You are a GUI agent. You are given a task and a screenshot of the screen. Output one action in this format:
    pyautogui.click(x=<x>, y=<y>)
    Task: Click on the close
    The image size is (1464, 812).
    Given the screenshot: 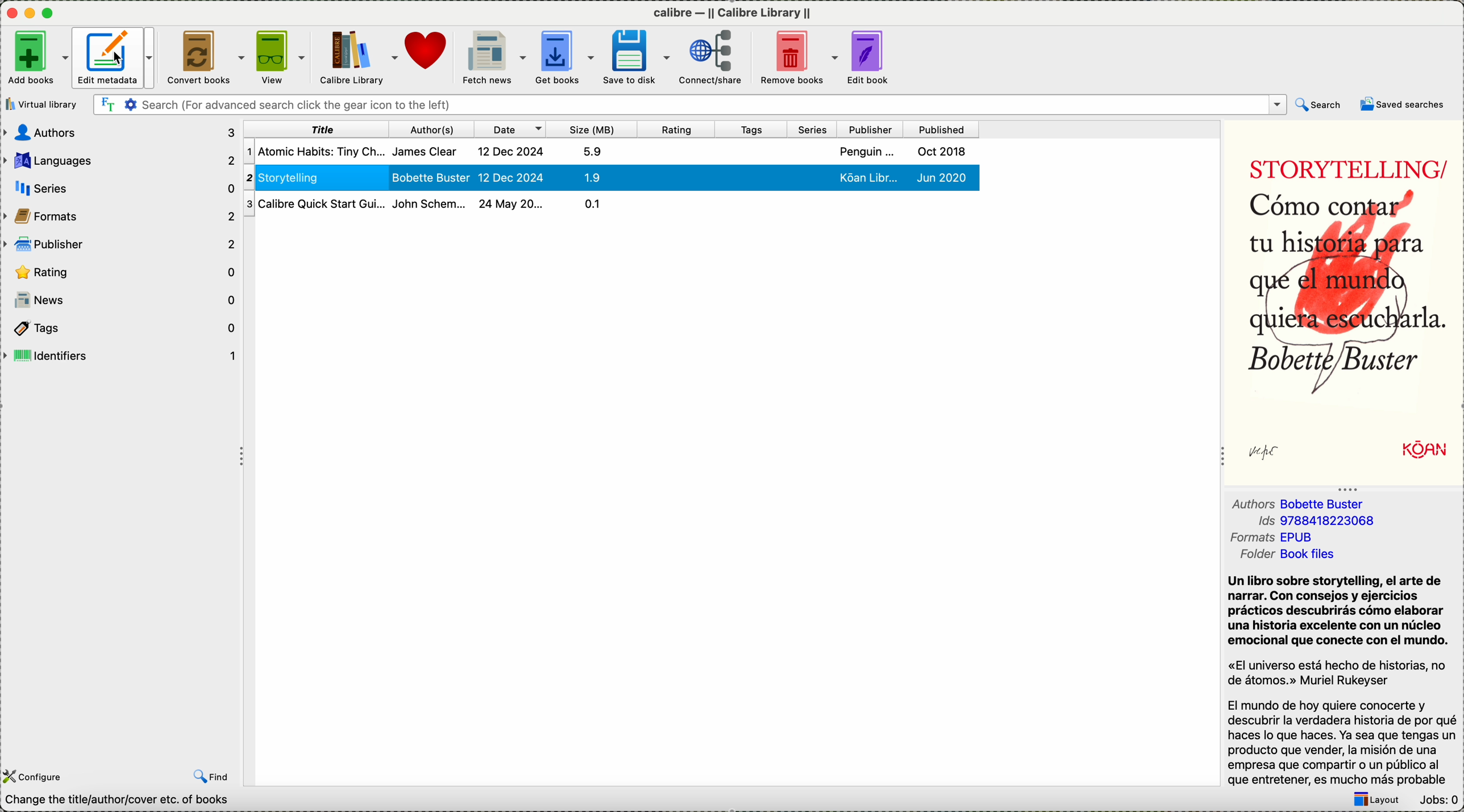 What is the action you would take?
    pyautogui.click(x=10, y=13)
    